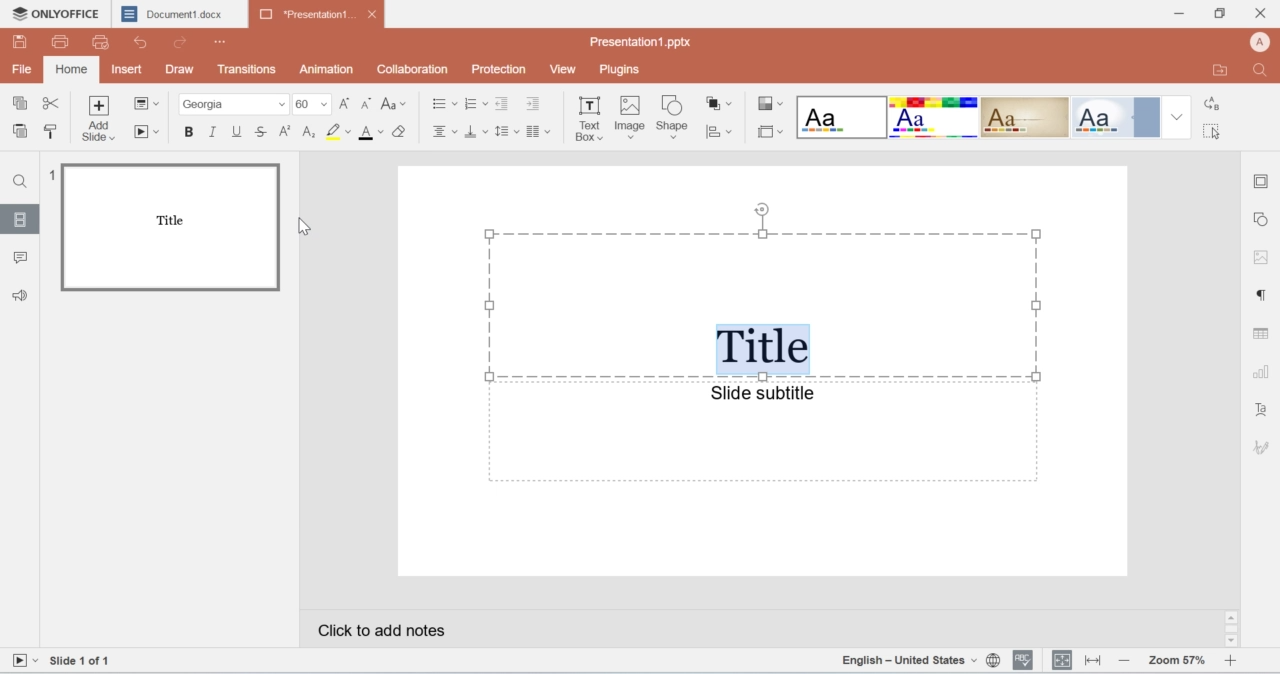  I want to click on animation, so click(329, 69).